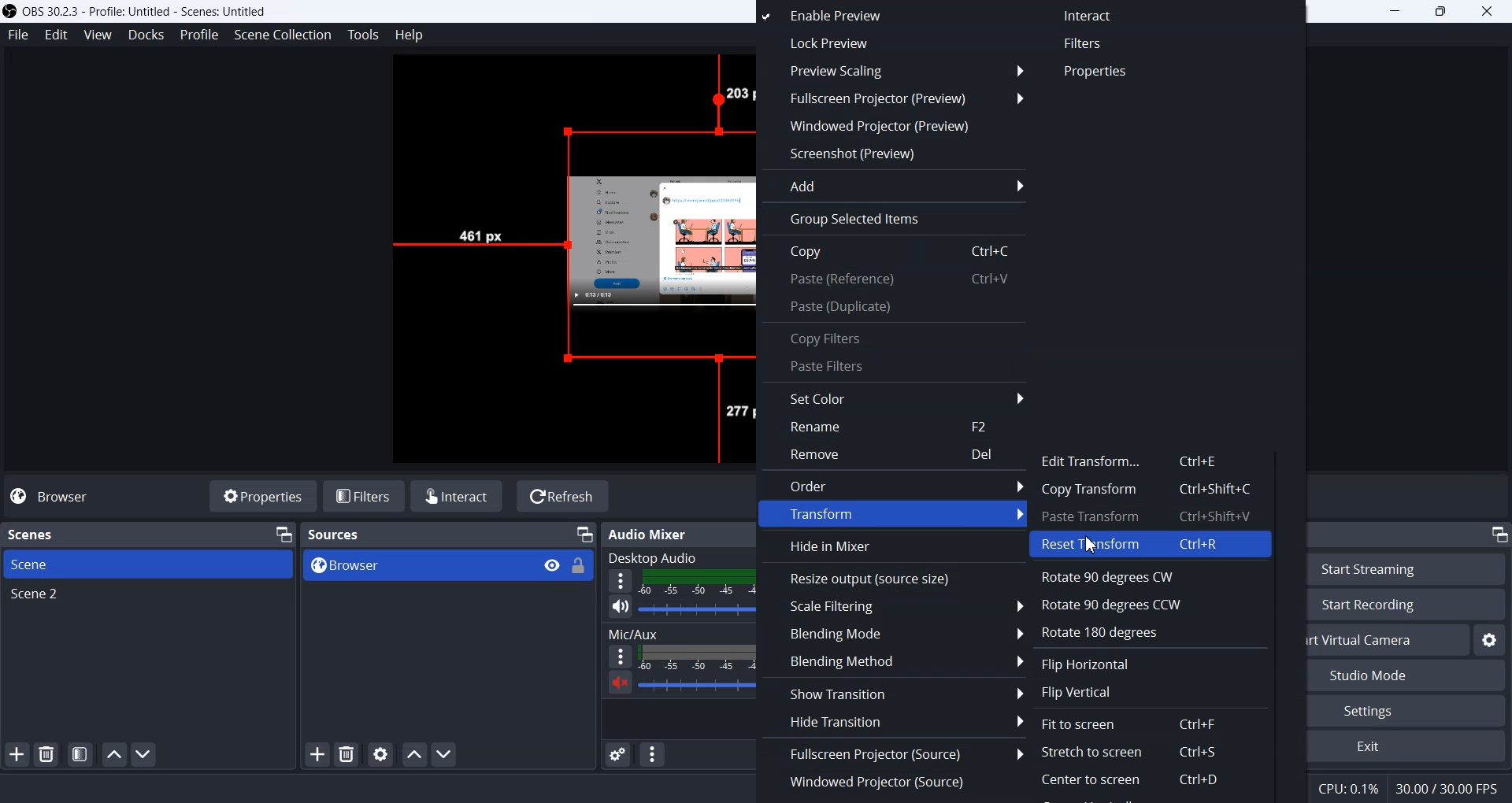  I want to click on Close, so click(1494, 12).